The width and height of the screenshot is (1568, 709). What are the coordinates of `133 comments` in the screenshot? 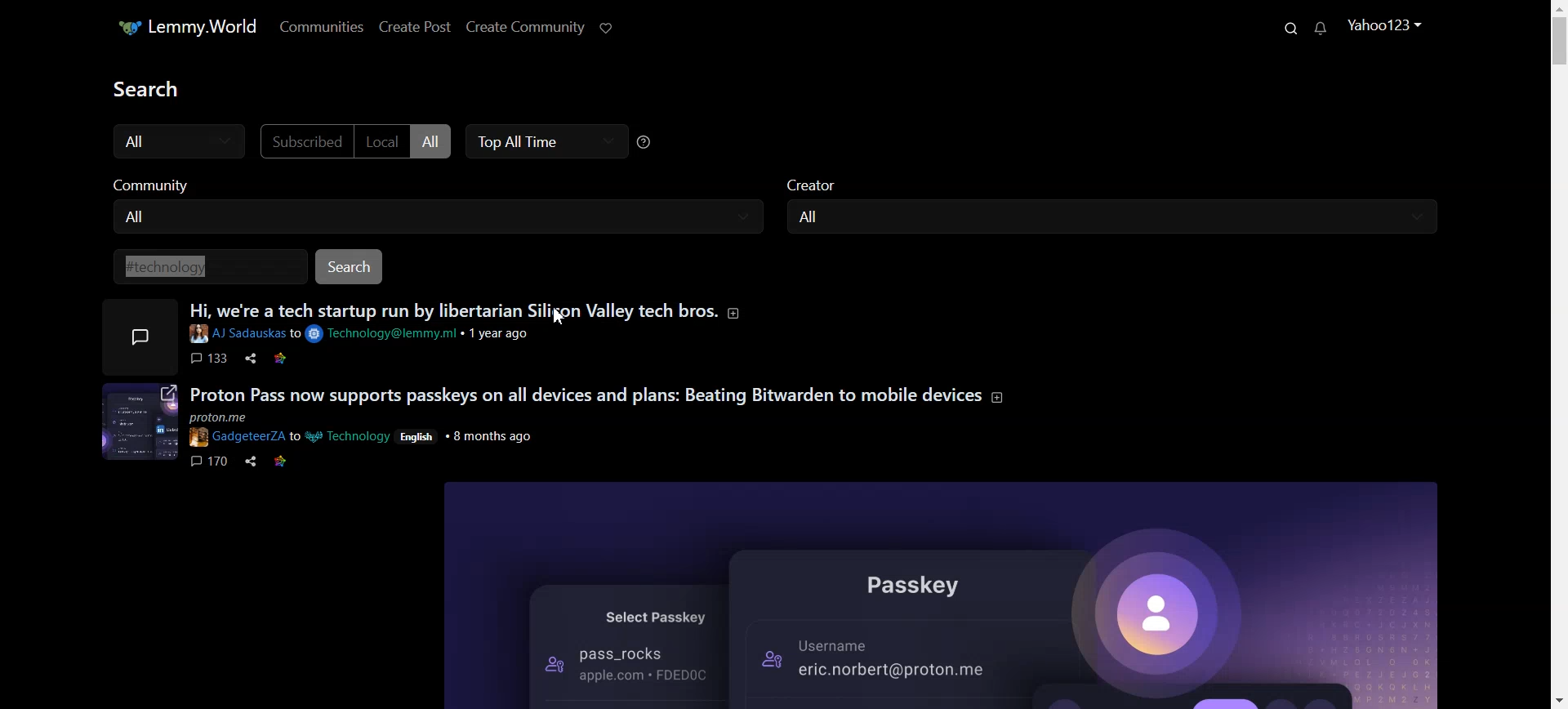 It's located at (210, 360).